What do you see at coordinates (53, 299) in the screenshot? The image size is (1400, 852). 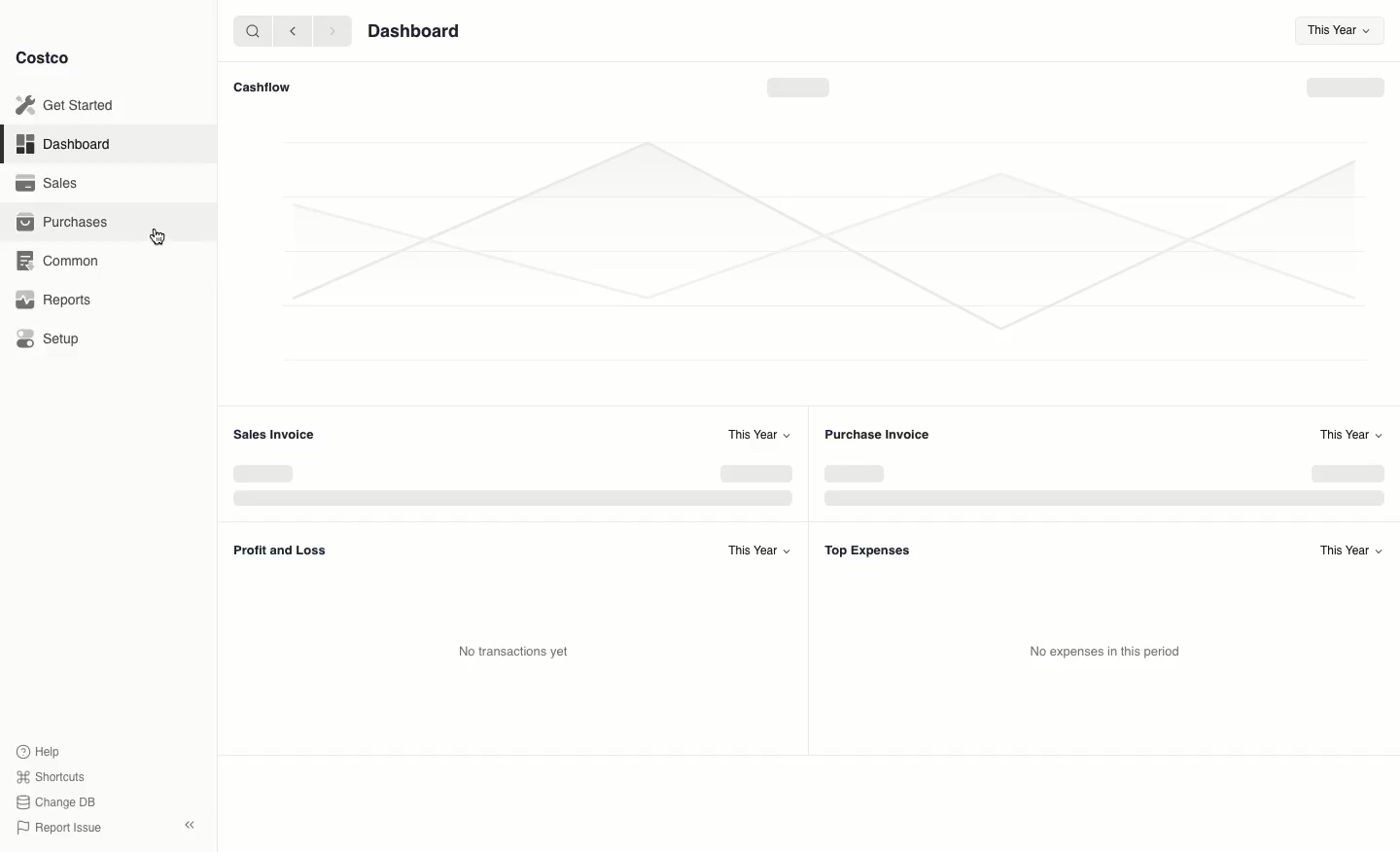 I see `Reports` at bounding box center [53, 299].